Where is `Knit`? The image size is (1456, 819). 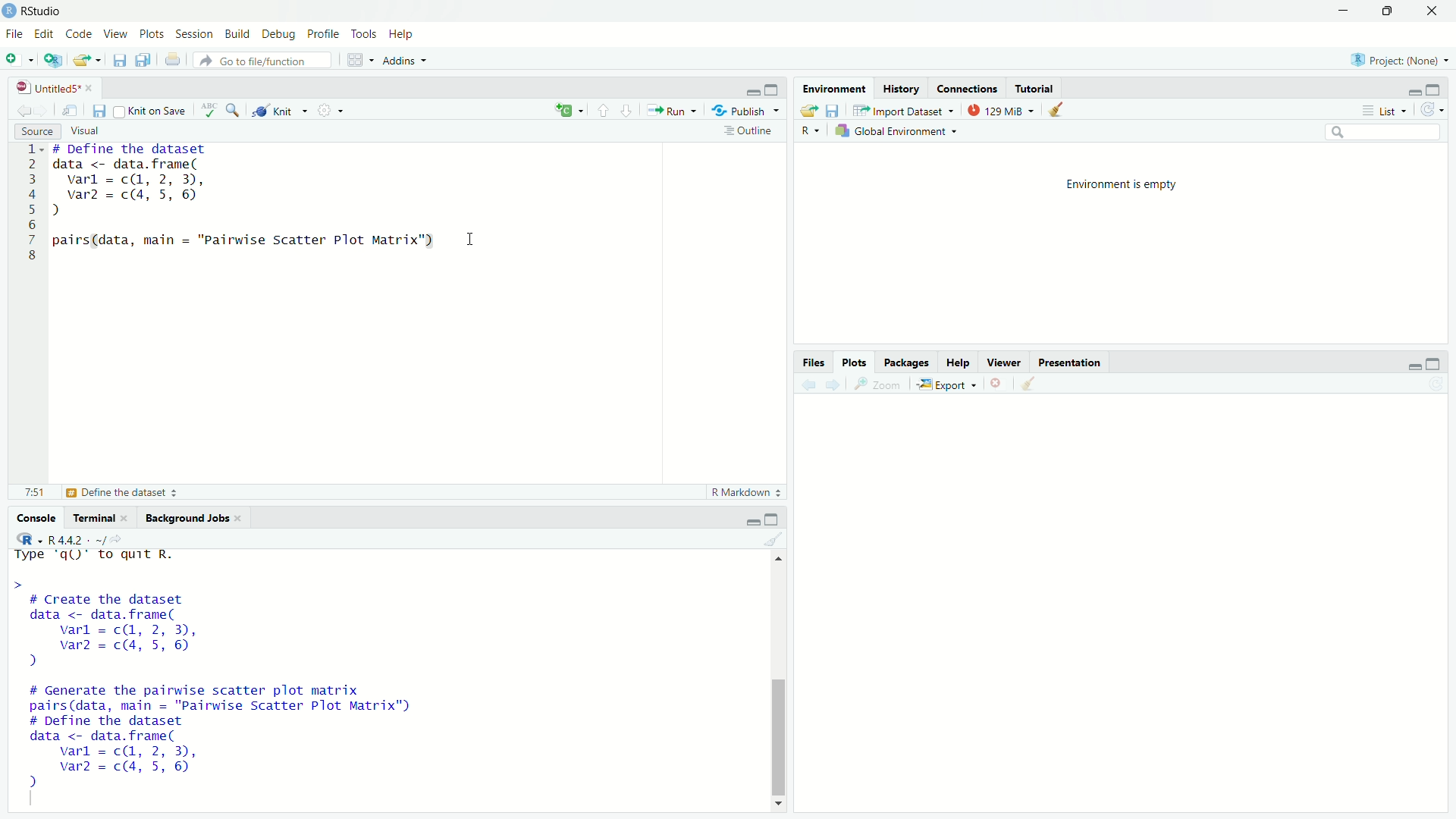
Knit is located at coordinates (280, 111).